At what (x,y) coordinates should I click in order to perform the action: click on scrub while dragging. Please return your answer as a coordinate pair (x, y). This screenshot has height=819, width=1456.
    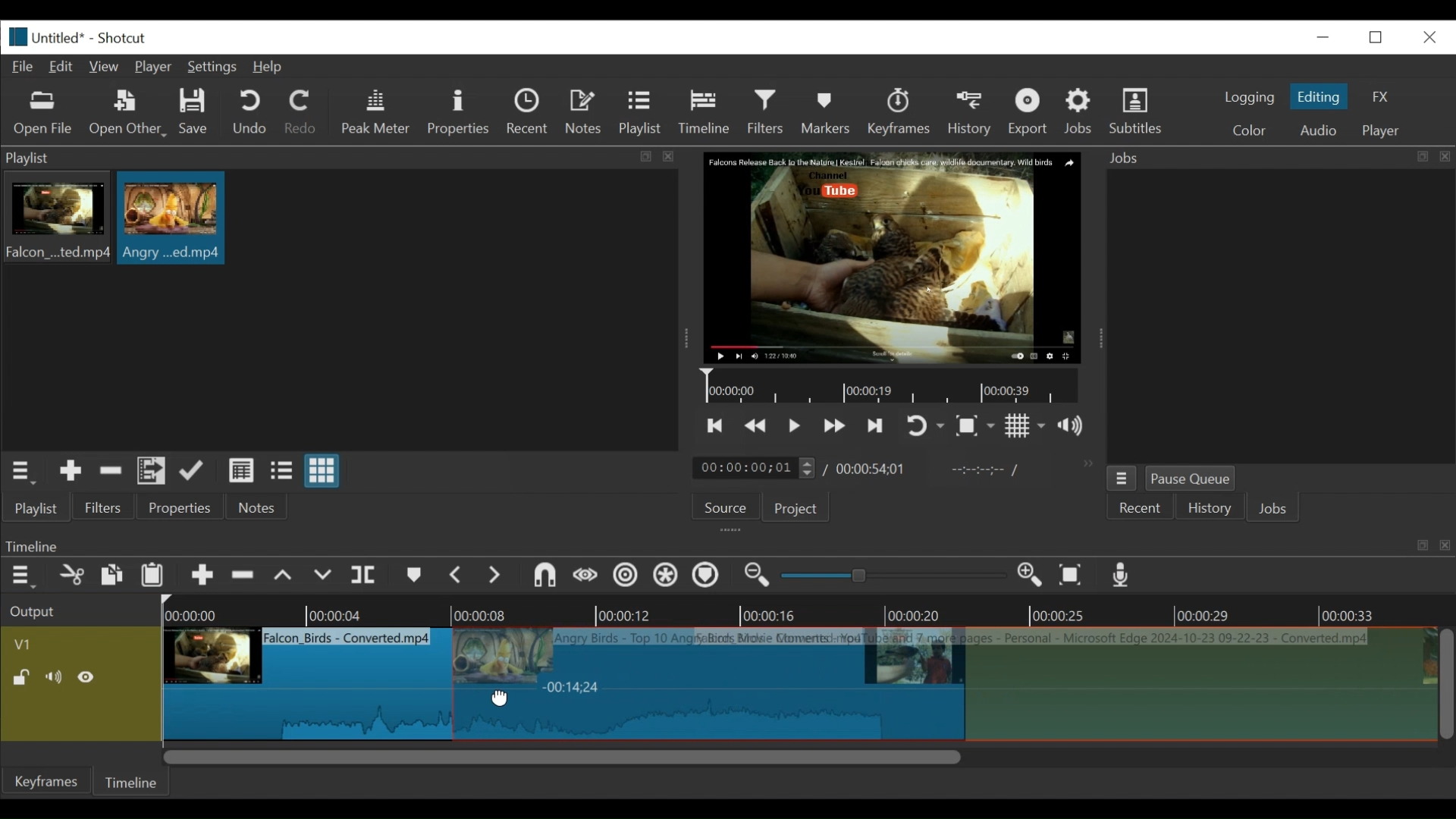
    Looking at the image, I should click on (586, 576).